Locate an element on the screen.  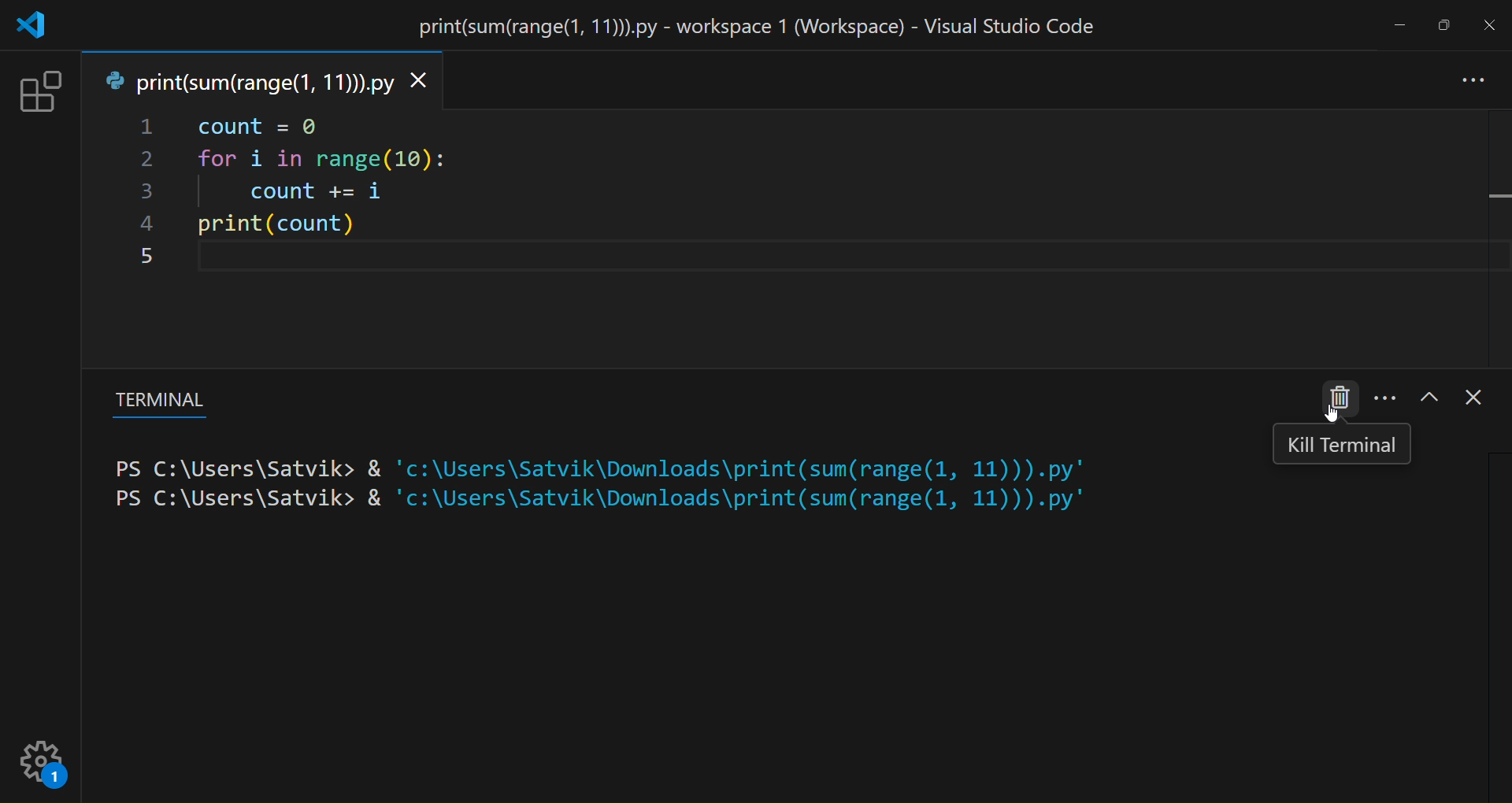
close tab is located at coordinates (425, 82).